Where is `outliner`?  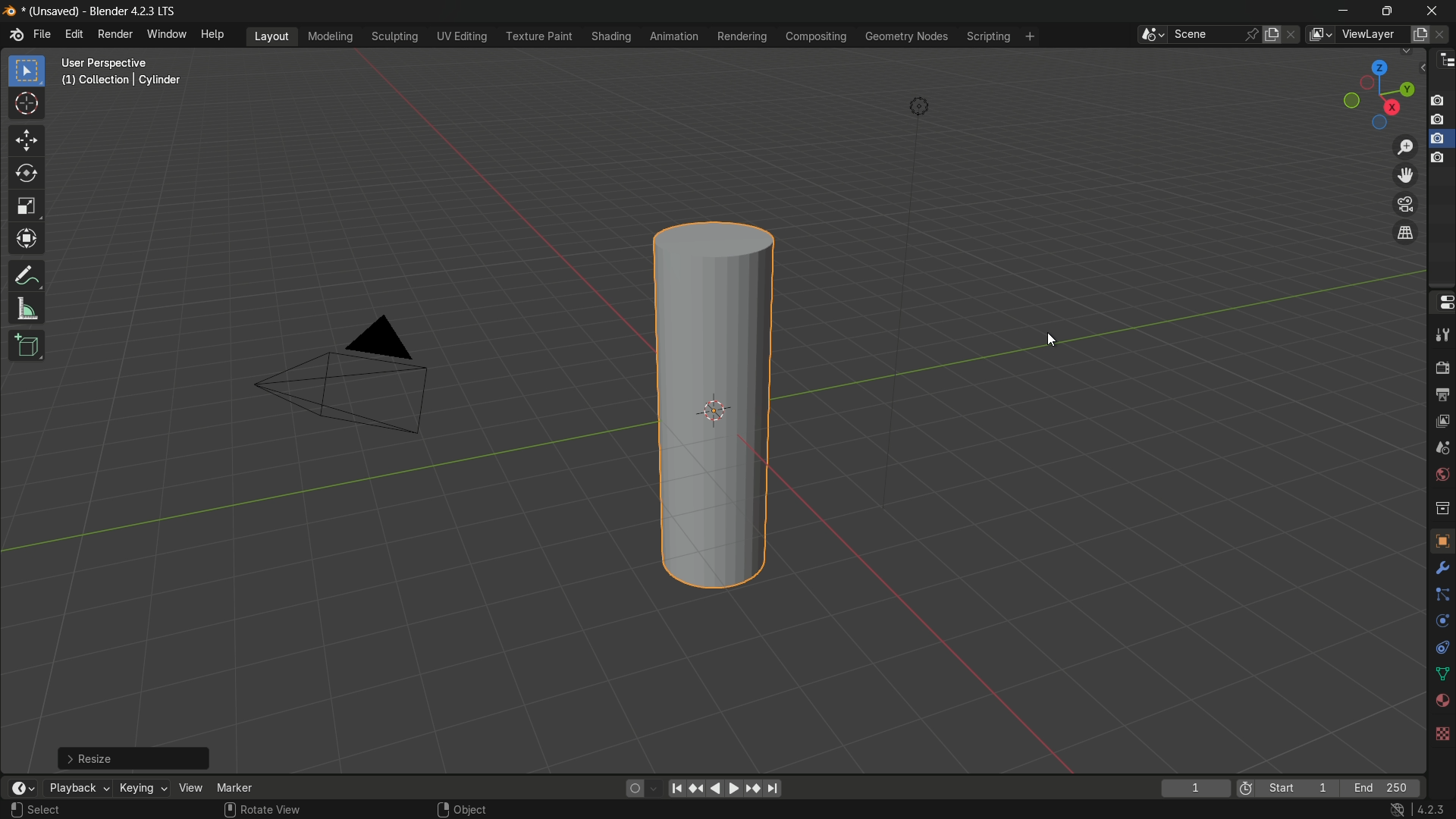
outliner is located at coordinates (1443, 63).